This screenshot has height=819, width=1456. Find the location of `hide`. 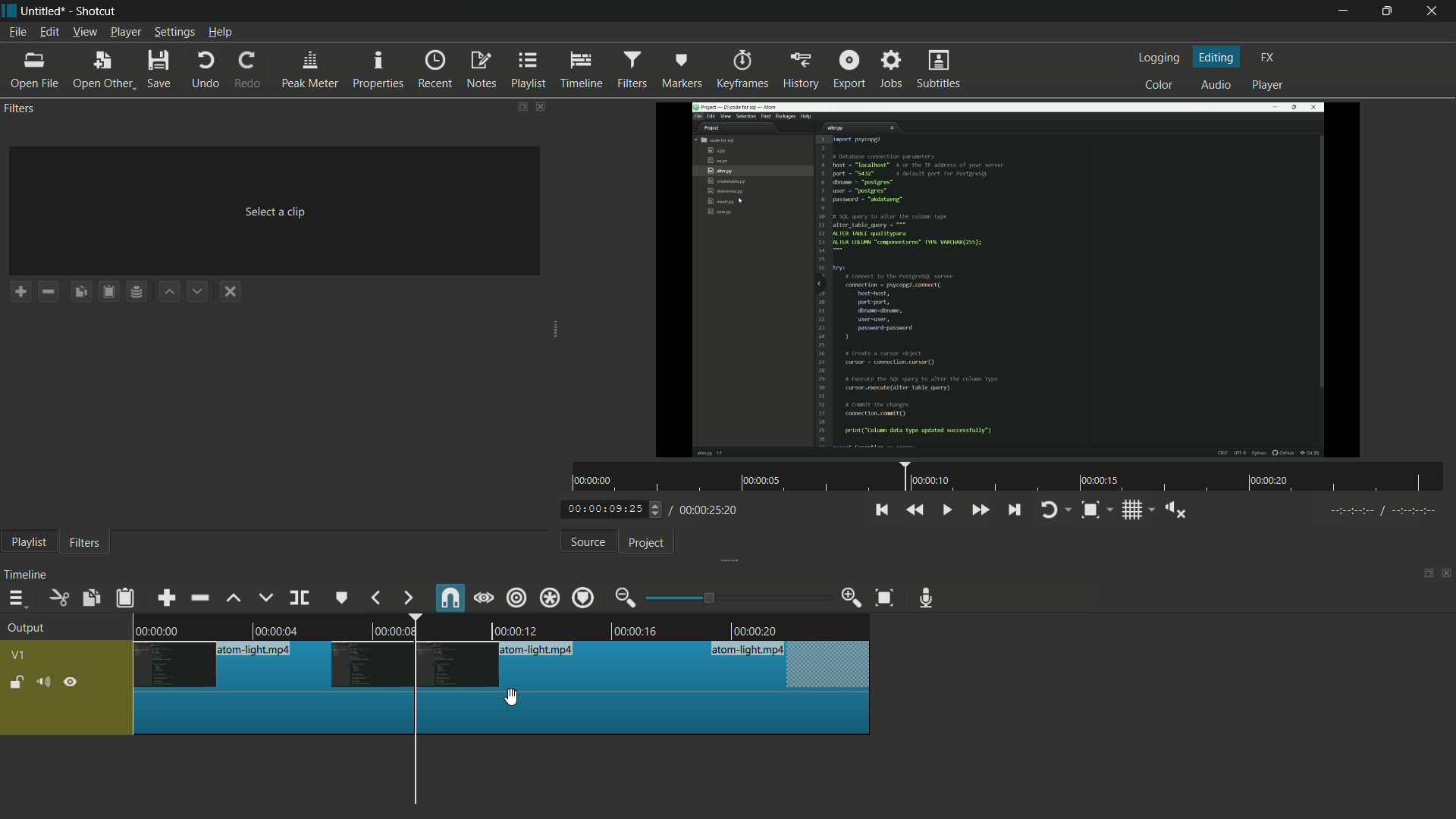

hide is located at coordinates (72, 681).